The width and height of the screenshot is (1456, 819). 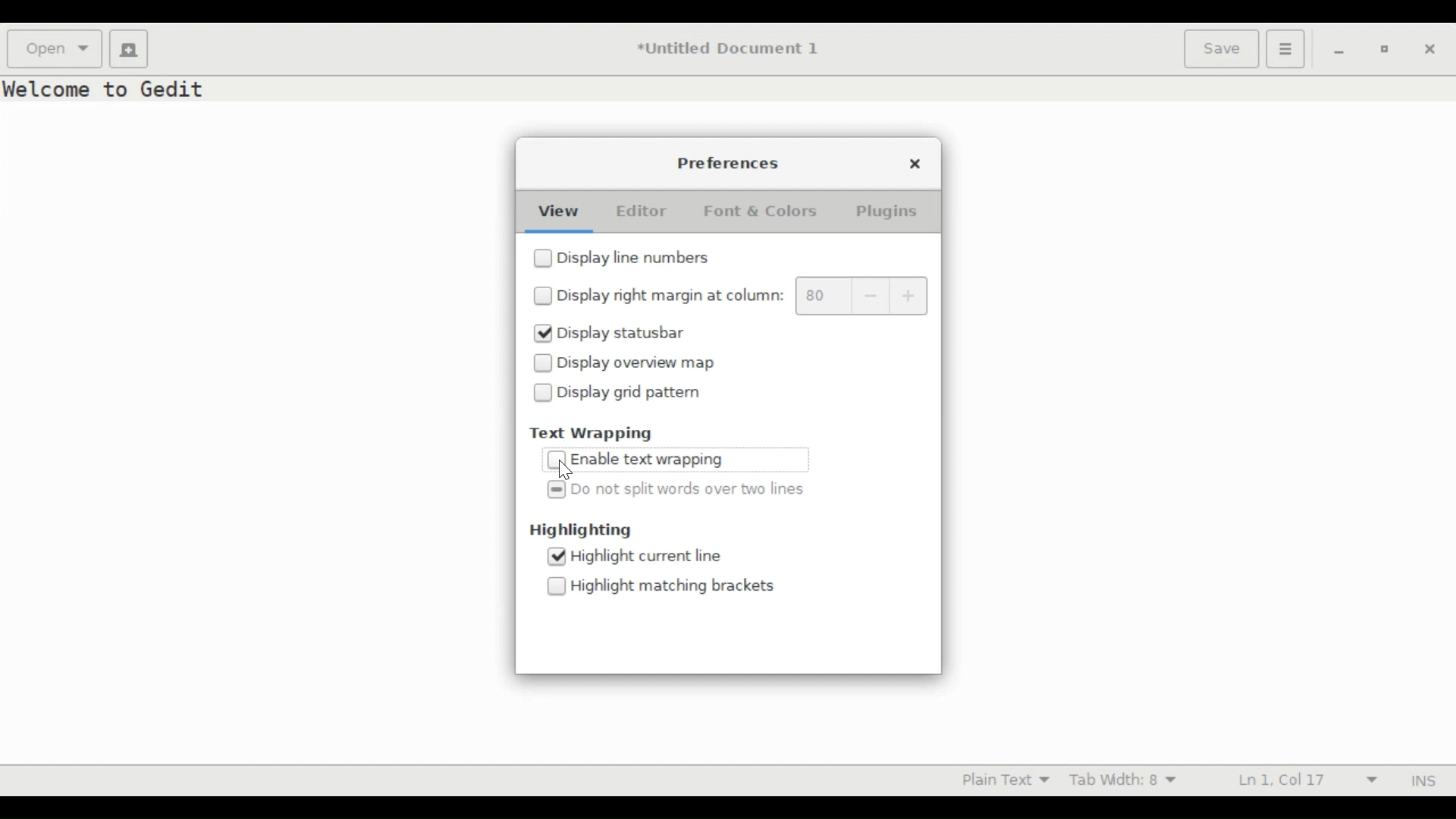 I want to click on *Untitled Document 1, so click(x=728, y=50).